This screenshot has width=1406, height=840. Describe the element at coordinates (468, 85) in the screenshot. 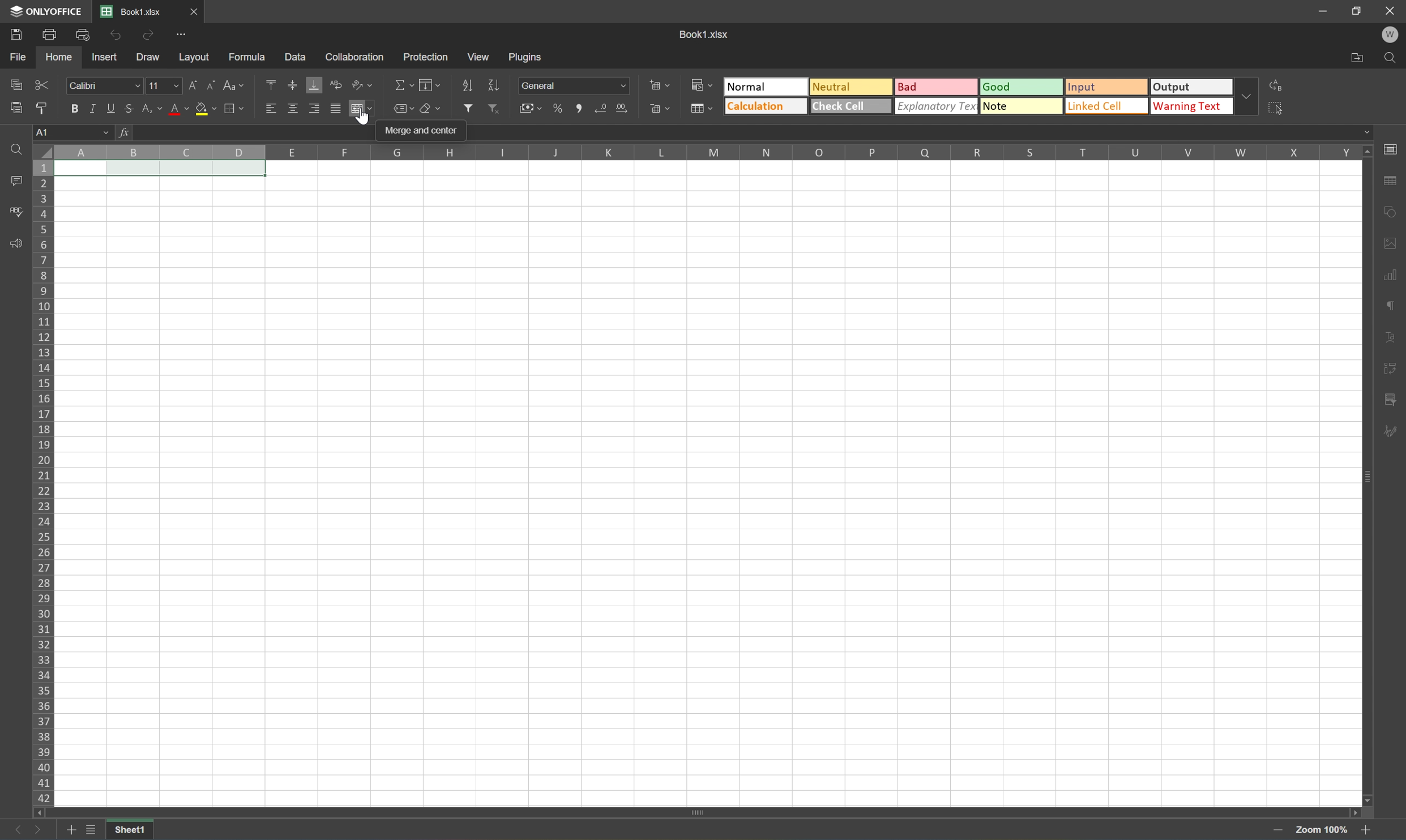

I see `Sort ascending` at that location.